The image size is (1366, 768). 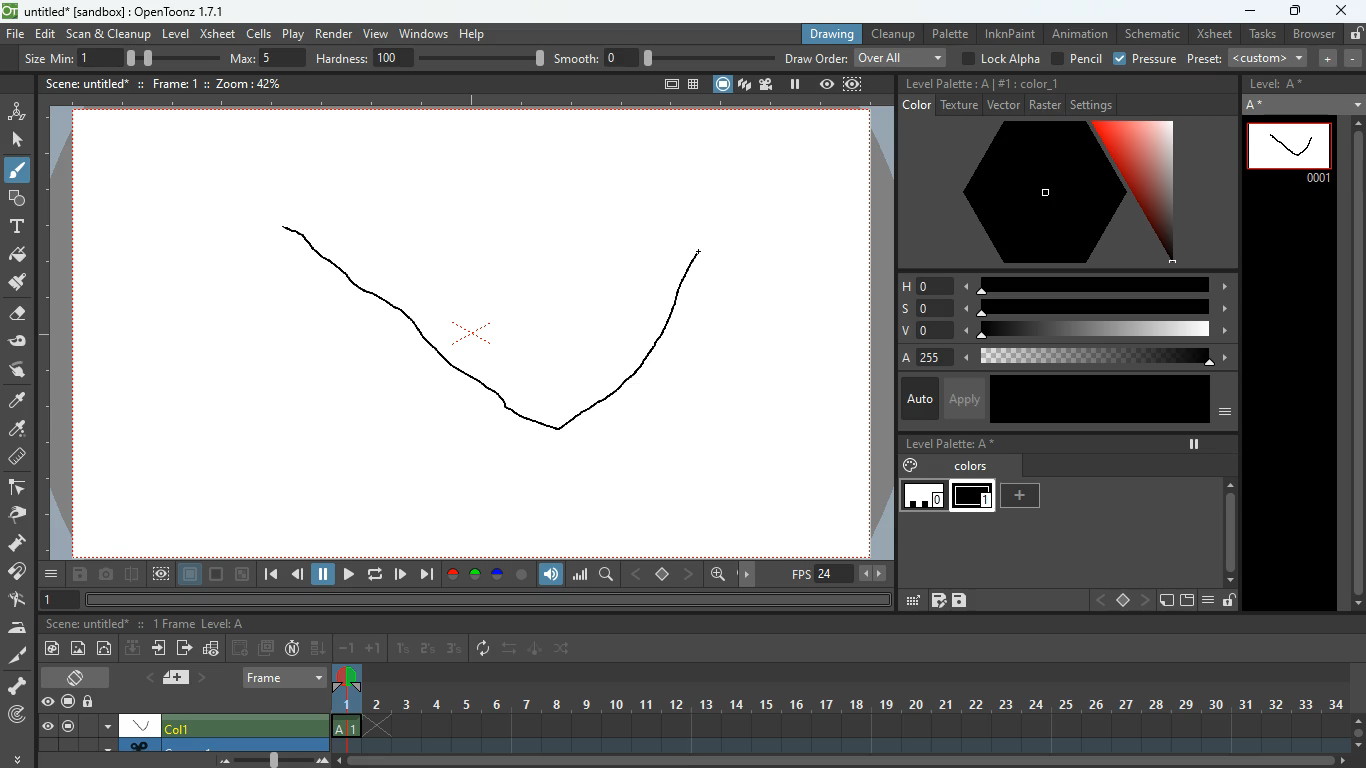 I want to click on frame0, so click(x=924, y=496).